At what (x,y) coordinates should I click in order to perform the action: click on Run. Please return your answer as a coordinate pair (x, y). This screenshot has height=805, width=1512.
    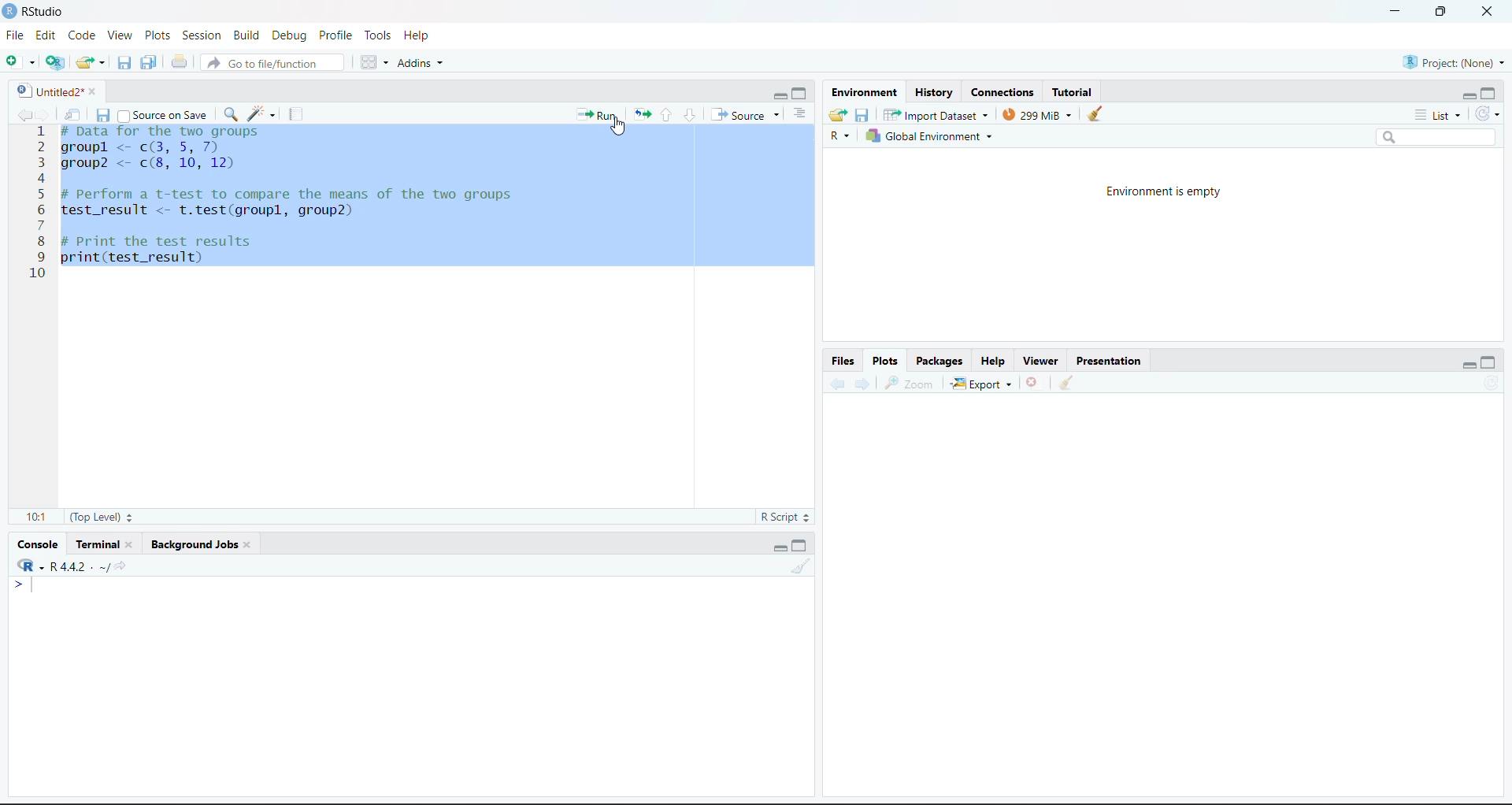
    Looking at the image, I should click on (597, 115).